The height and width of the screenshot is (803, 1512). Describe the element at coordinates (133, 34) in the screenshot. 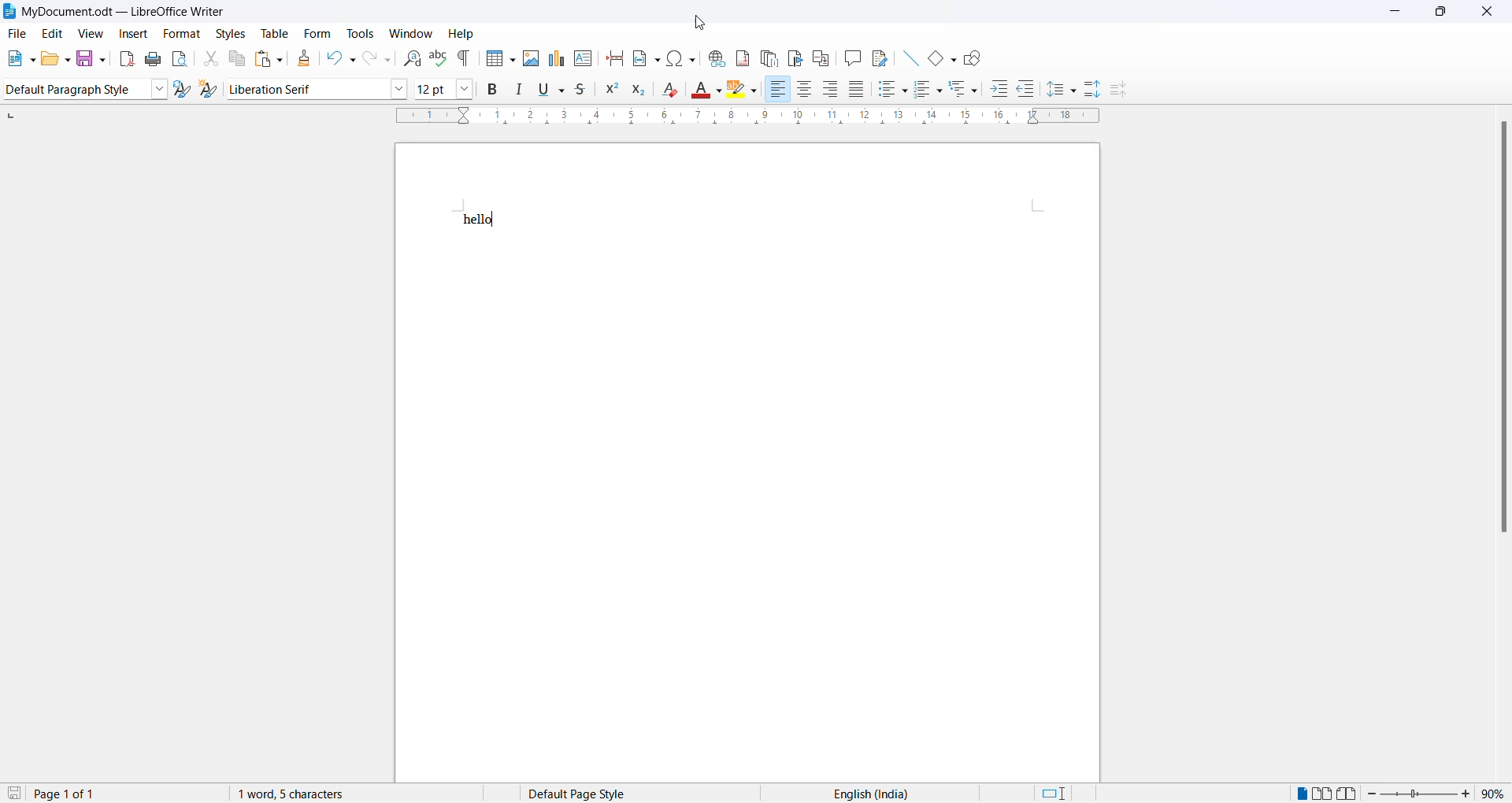

I see `Insert` at that location.